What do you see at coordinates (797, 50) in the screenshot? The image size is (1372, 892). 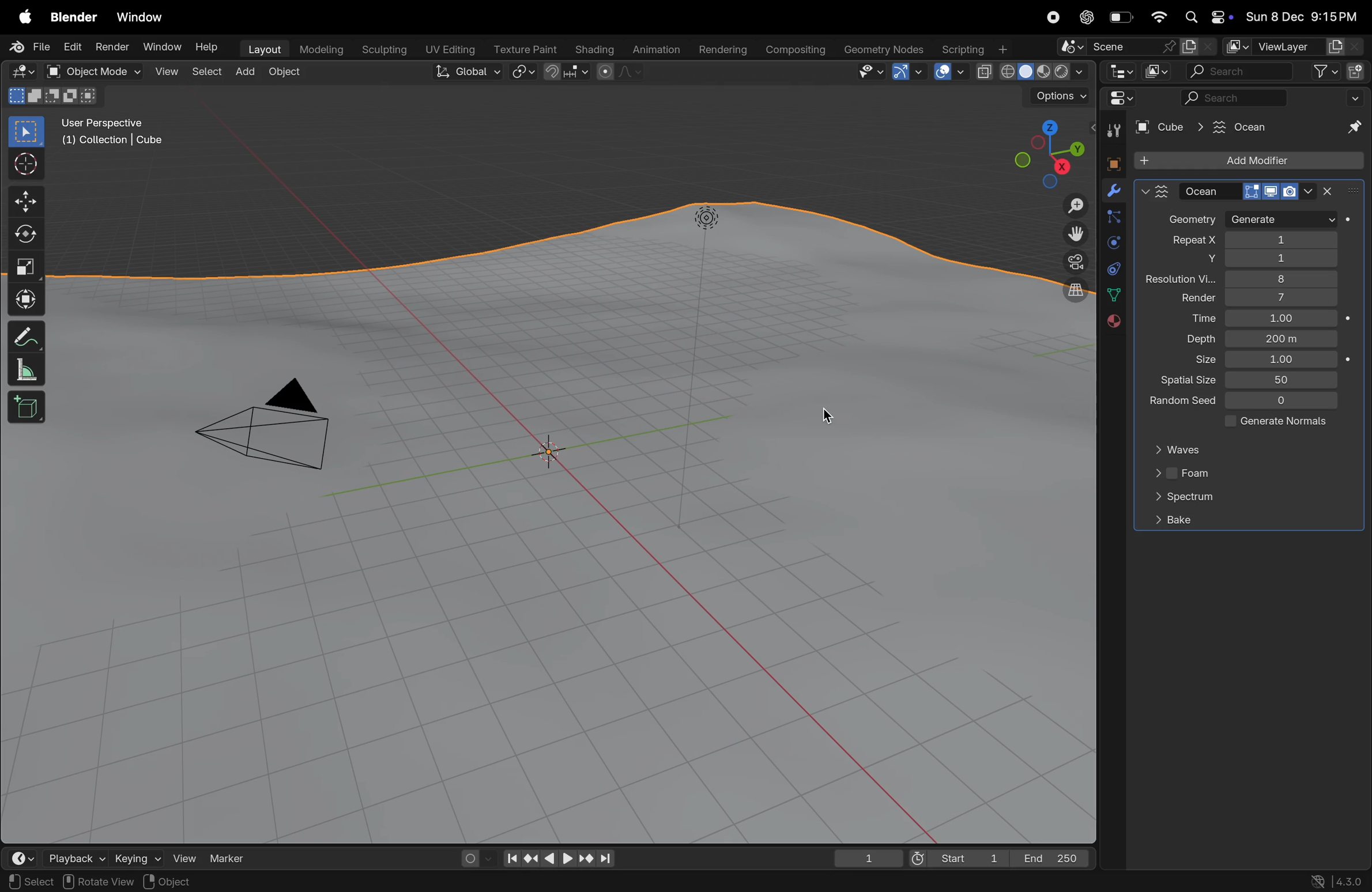 I see `composting` at bounding box center [797, 50].